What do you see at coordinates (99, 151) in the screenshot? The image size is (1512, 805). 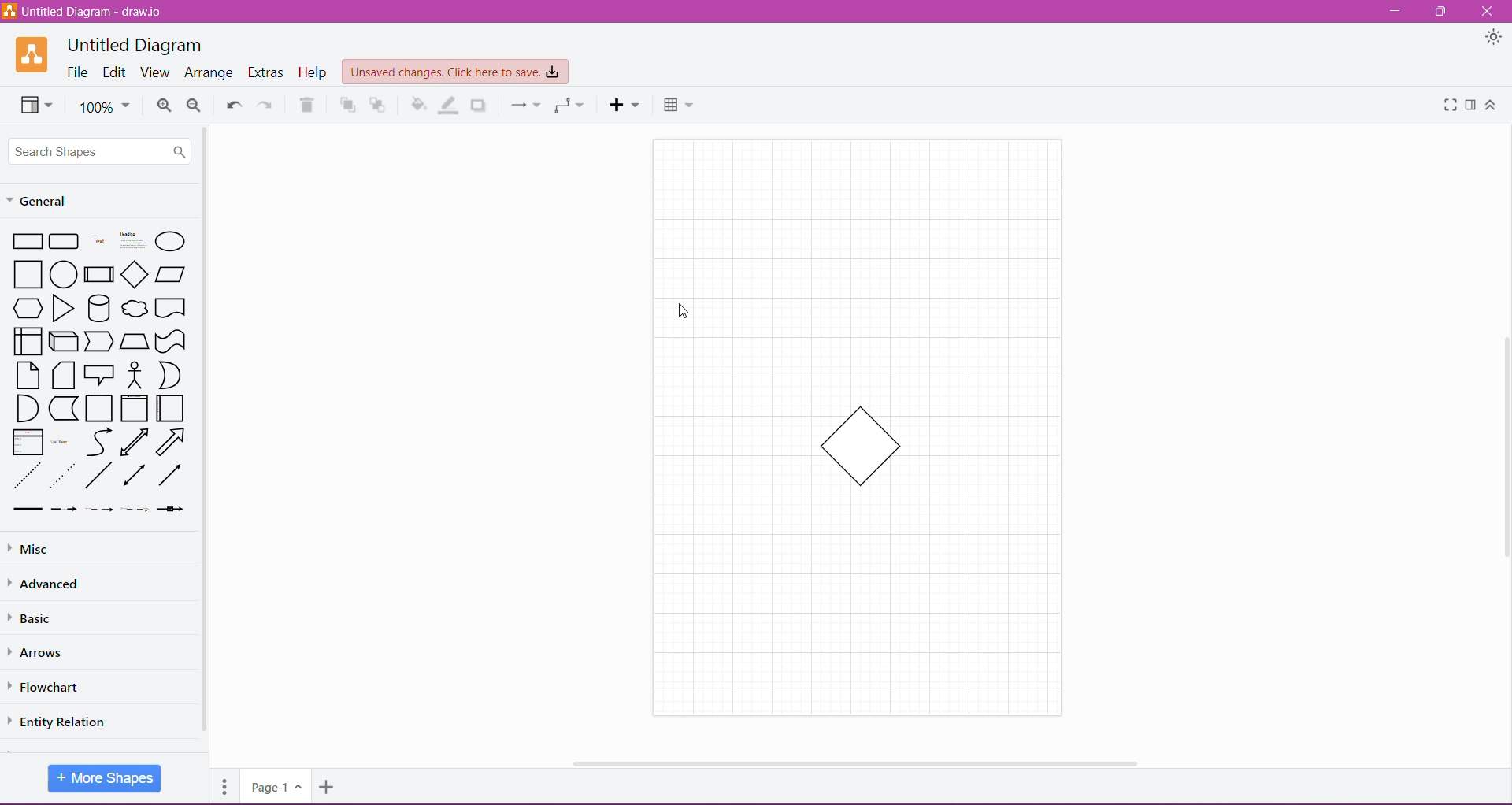 I see `Search Shapes` at bounding box center [99, 151].